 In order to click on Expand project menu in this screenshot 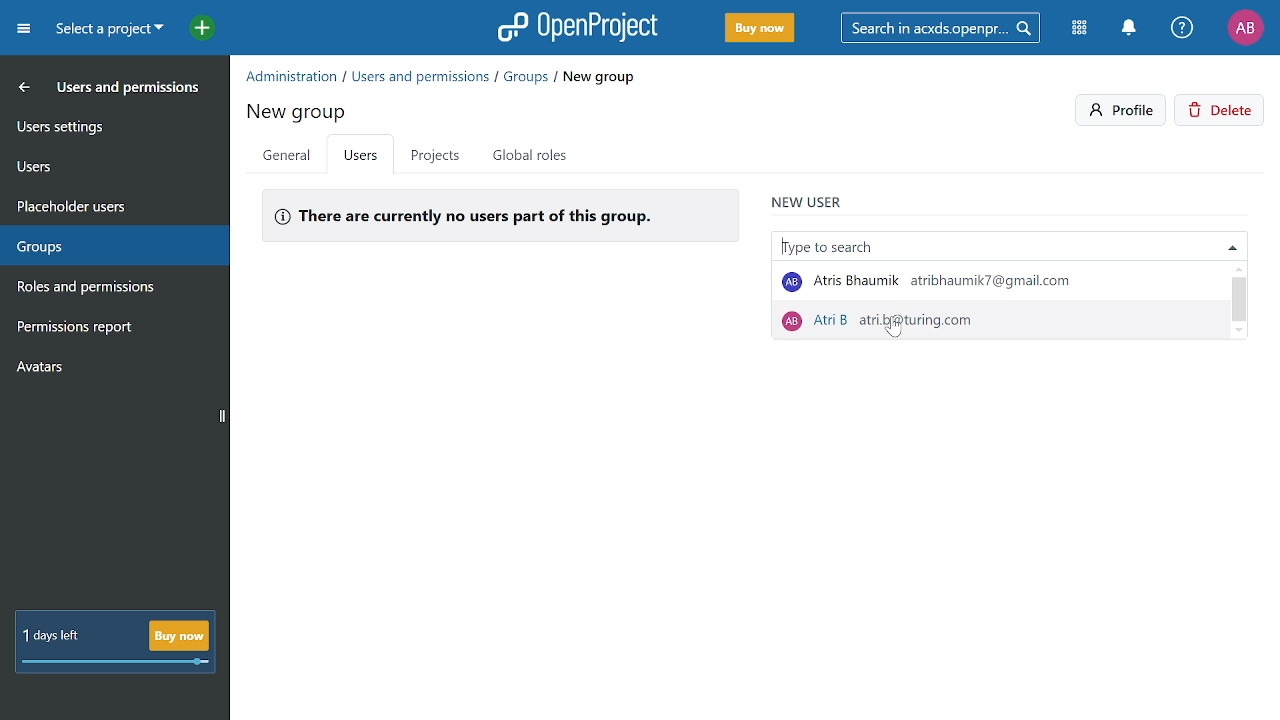, I will do `click(23, 28)`.